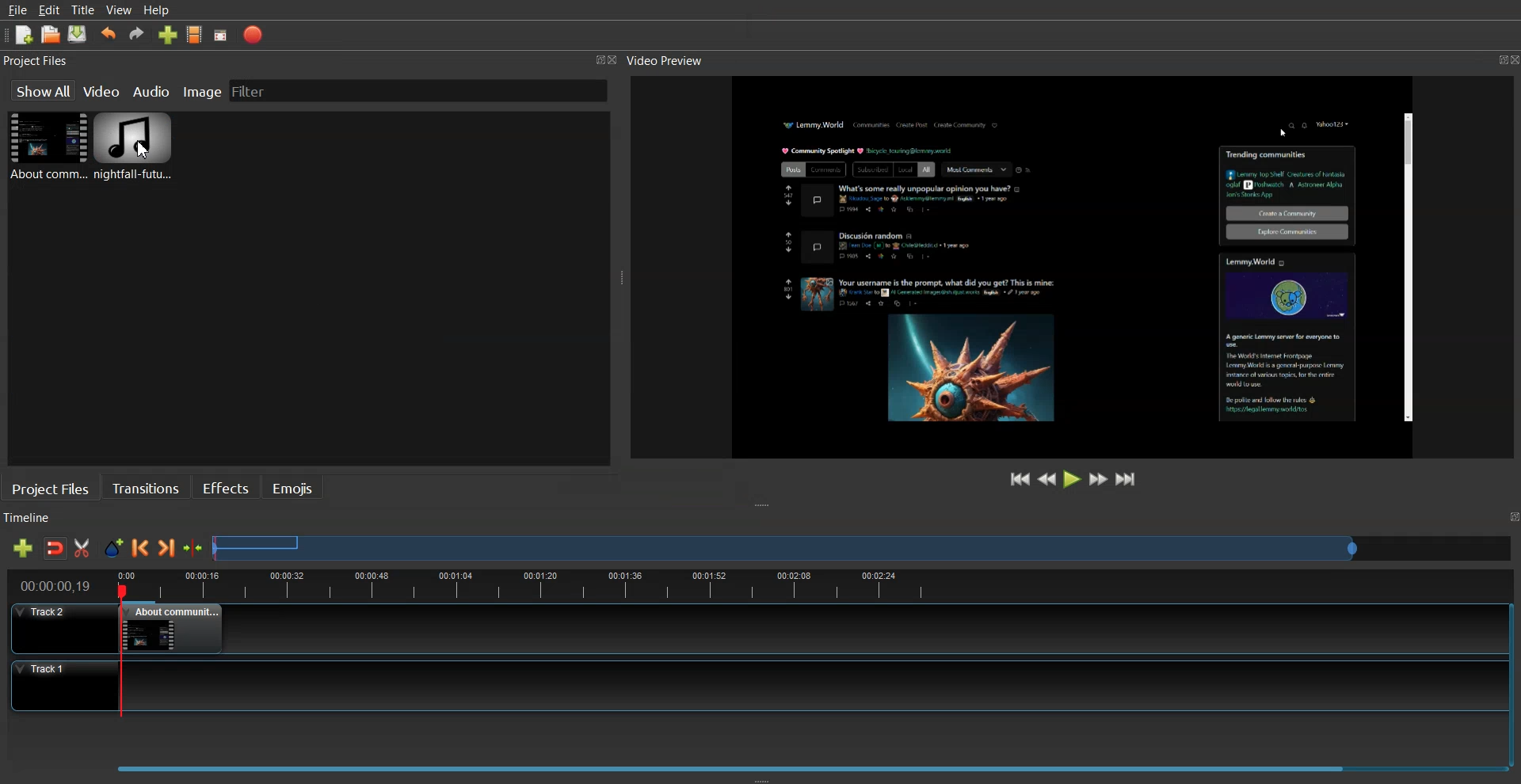  Describe the element at coordinates (45, 146) in the screenshot. I see `Video File` at that location.